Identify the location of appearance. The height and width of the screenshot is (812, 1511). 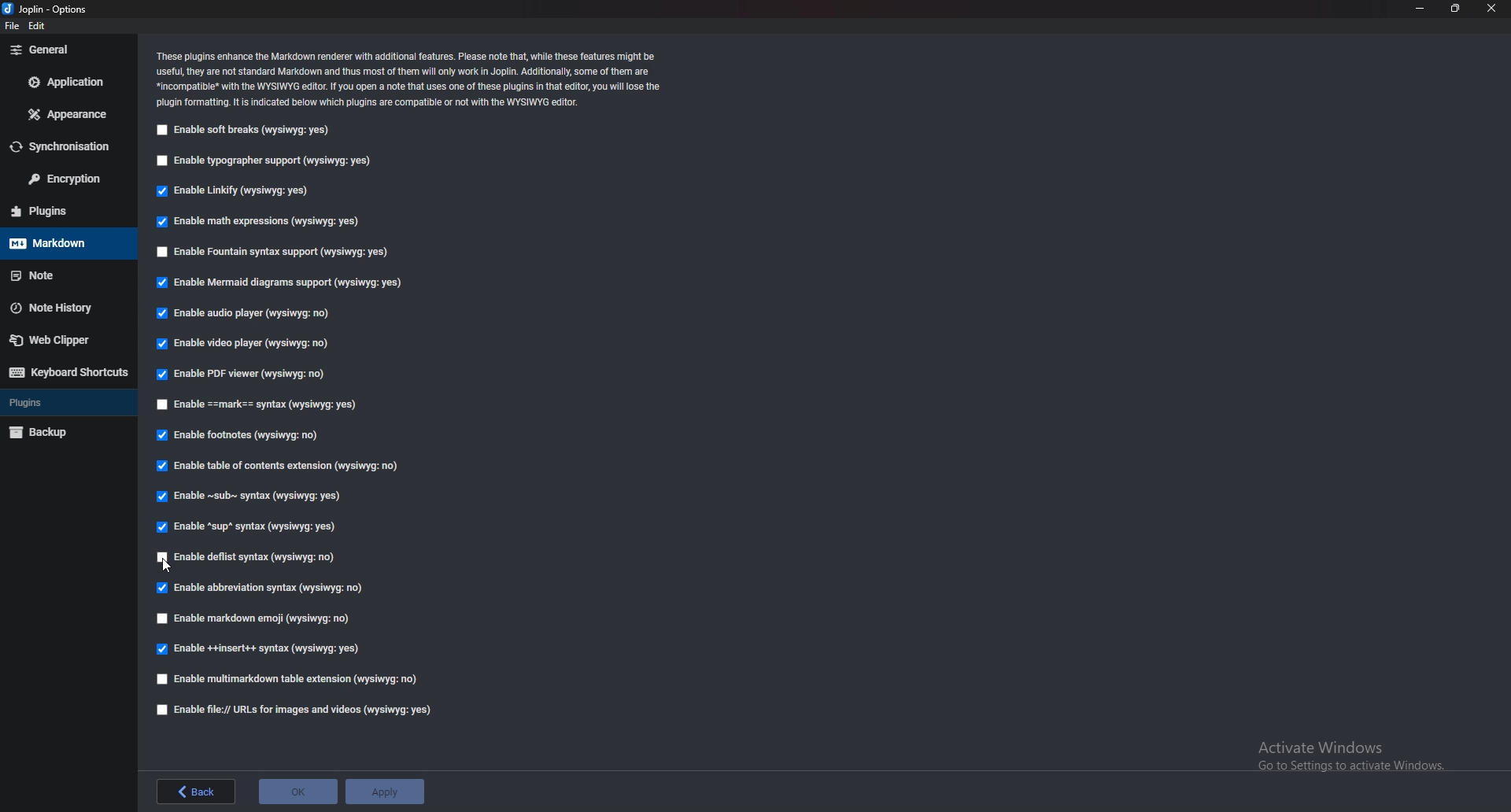
(68, 114).